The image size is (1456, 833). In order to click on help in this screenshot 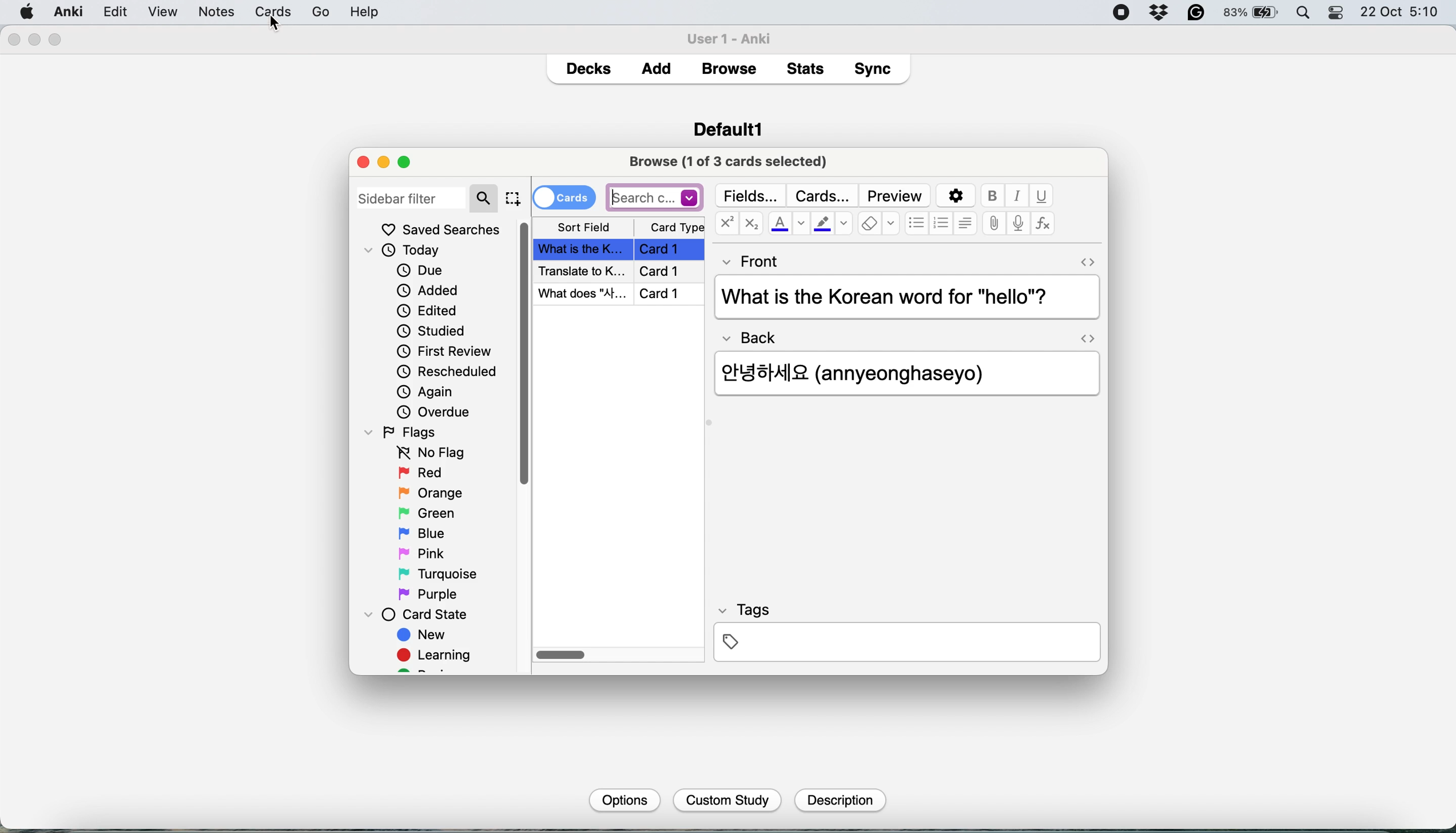, I will do `click(309, 11)`.